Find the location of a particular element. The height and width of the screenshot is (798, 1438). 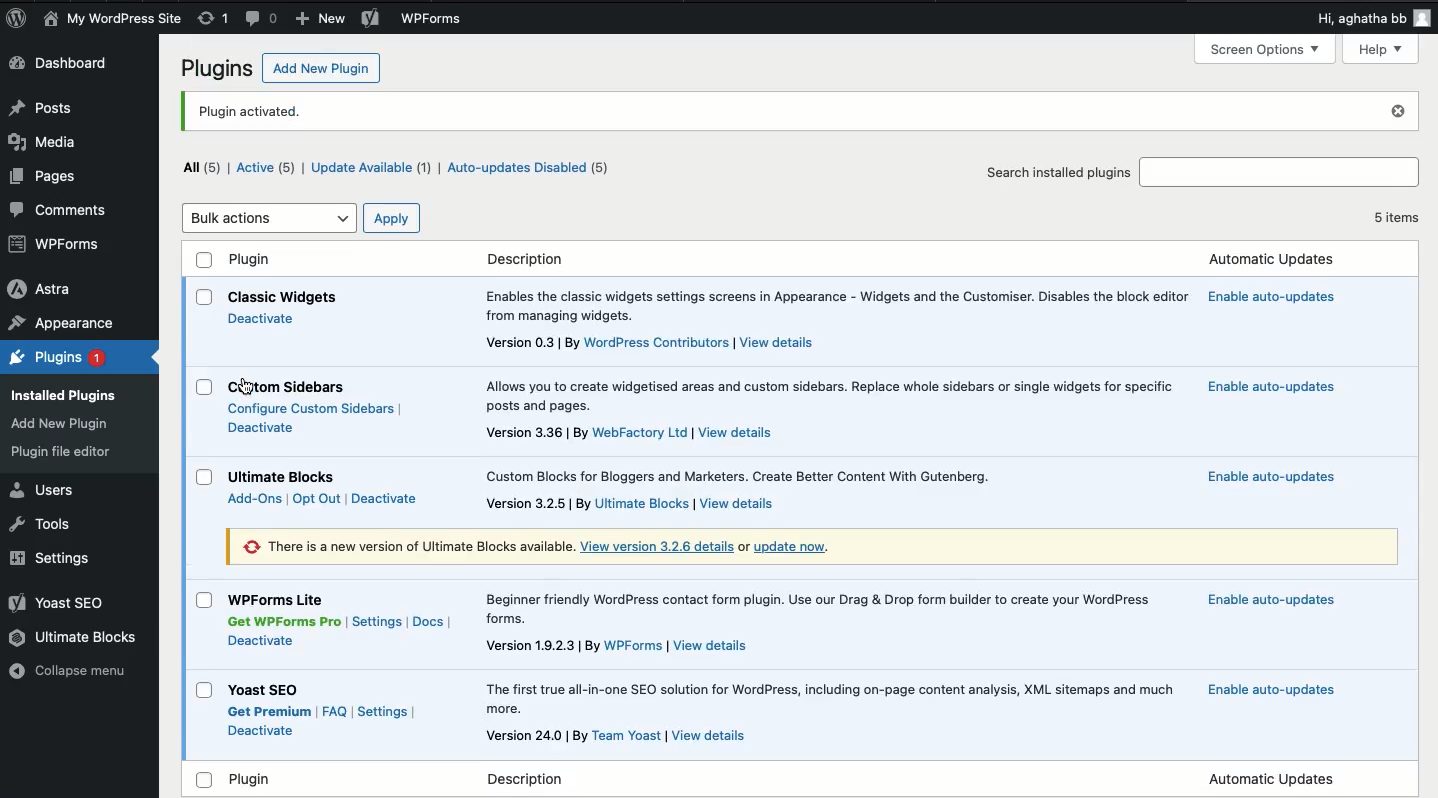

WPForms is located at coordinates (55, 244).